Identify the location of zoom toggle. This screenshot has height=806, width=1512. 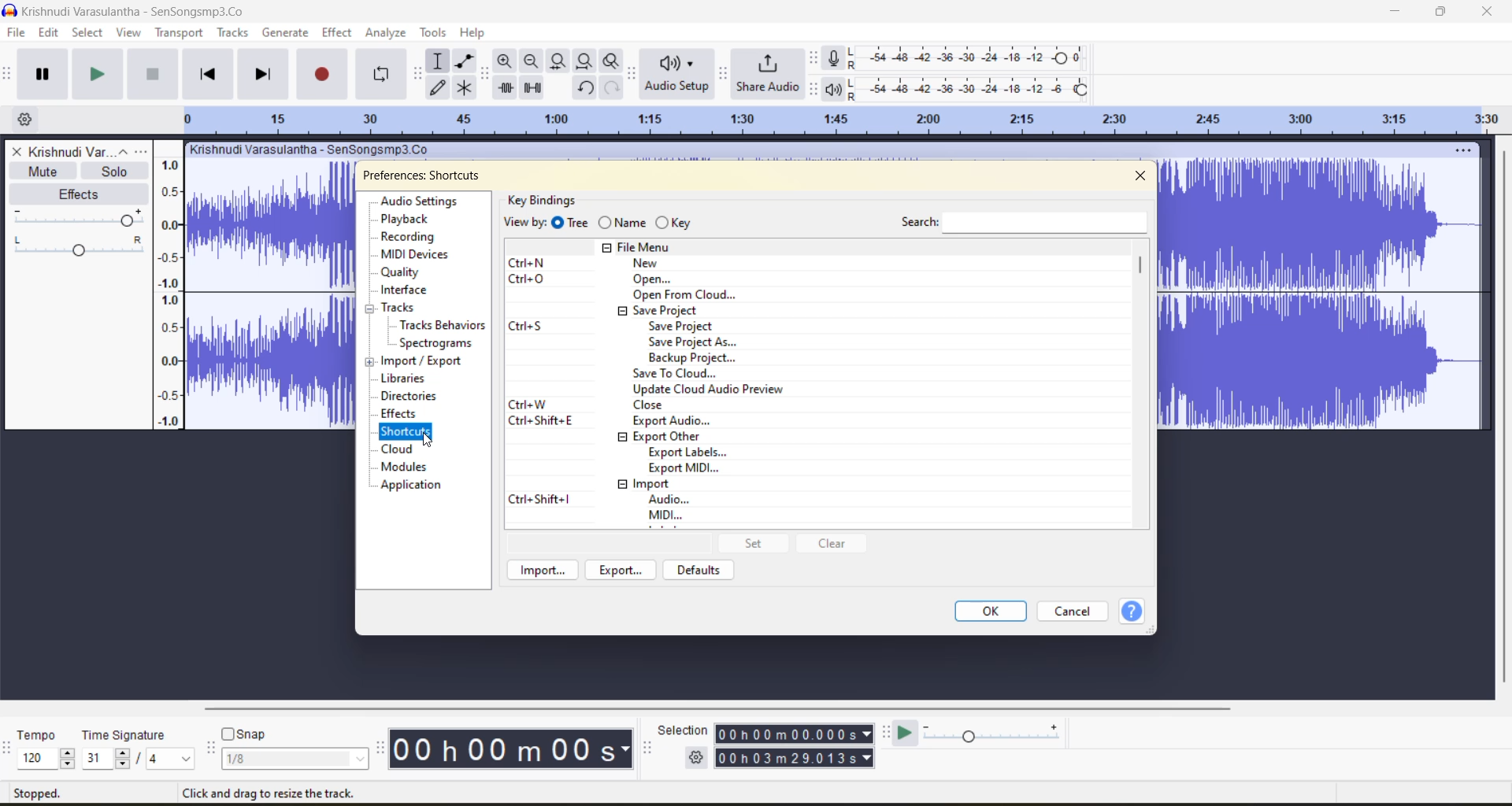
(613, 61).